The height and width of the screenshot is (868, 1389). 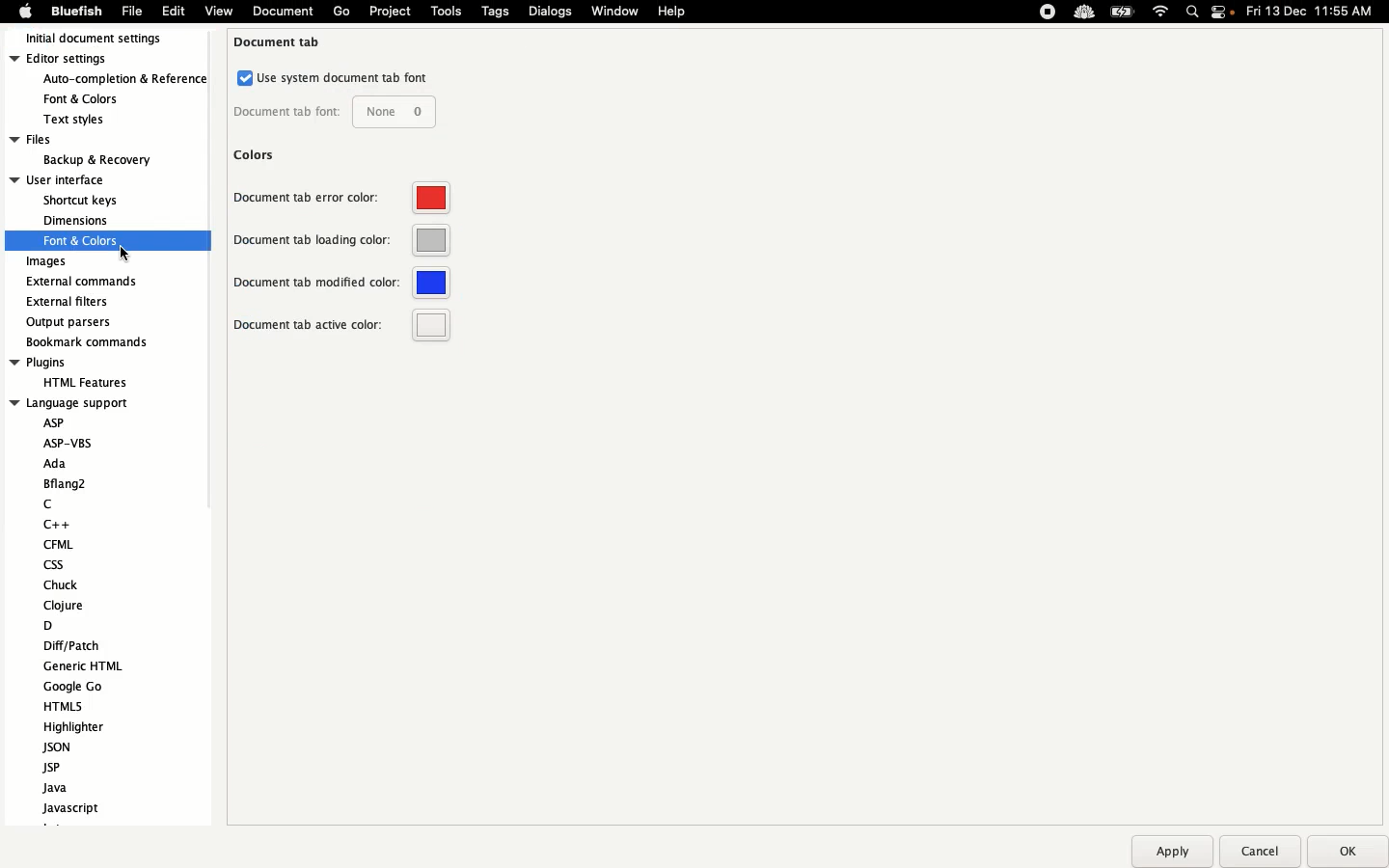 What do you see at coordinates (104, 60) in the screenshot?
I see `Editor settings` at bounding box center [104, 60].